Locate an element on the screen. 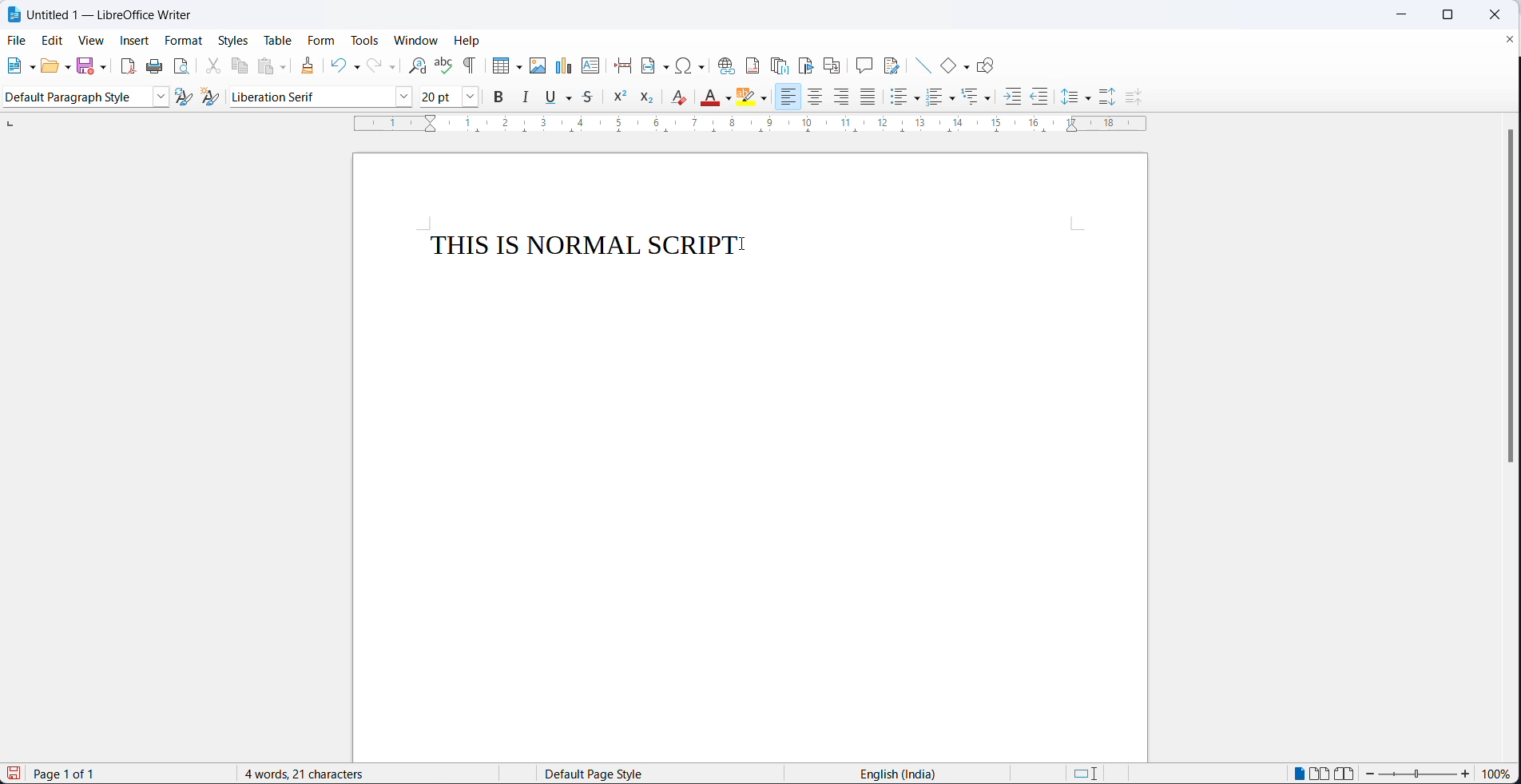 The height and width of the screenshot is (784, 1521). undo is located at coordinates (337, 65).